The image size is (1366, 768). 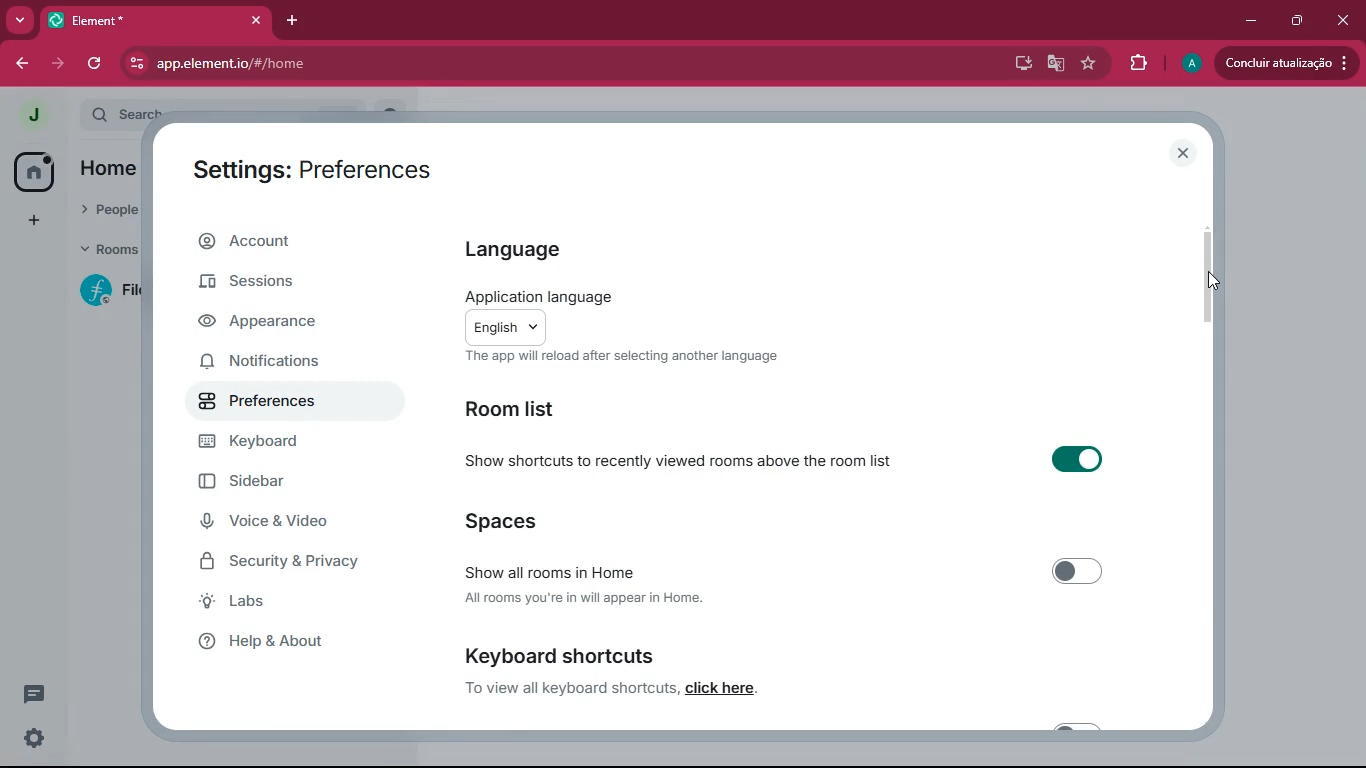 What do you see at coordinates (587, 600) in the screenshot?
I see `All rooms you're in will appear in Home.` at bounding box center [587, 600].